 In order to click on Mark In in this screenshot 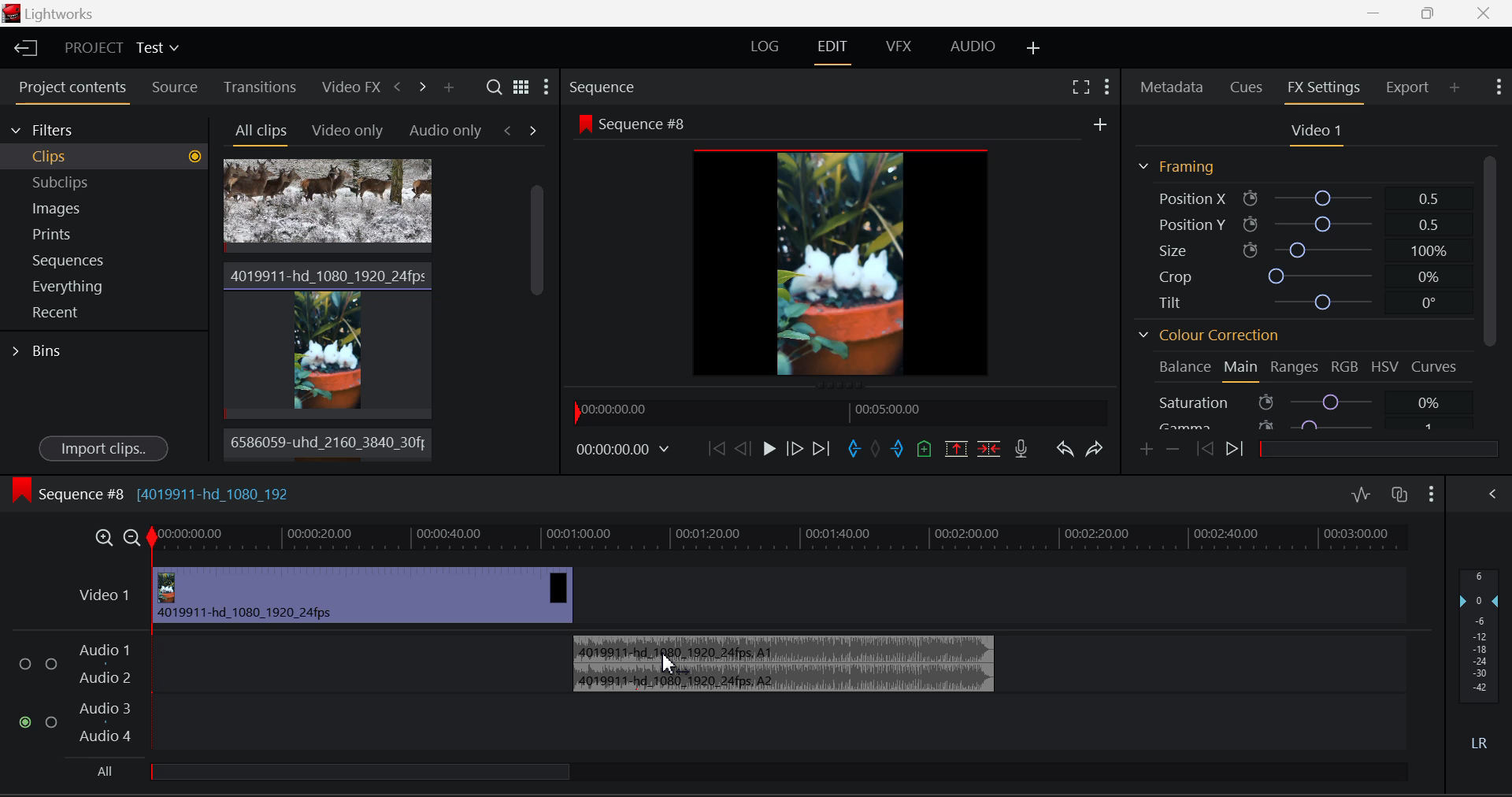, I will do `click(854, 449)`.